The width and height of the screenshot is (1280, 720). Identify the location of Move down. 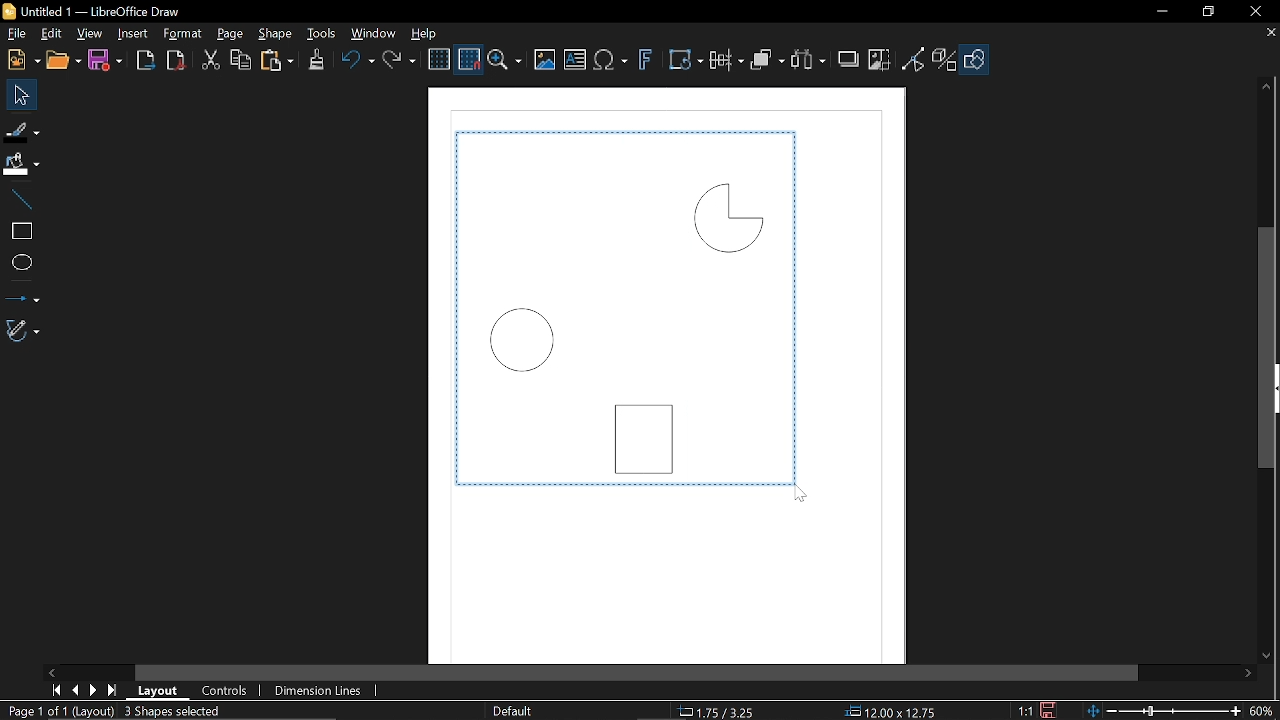
(1266, 658).